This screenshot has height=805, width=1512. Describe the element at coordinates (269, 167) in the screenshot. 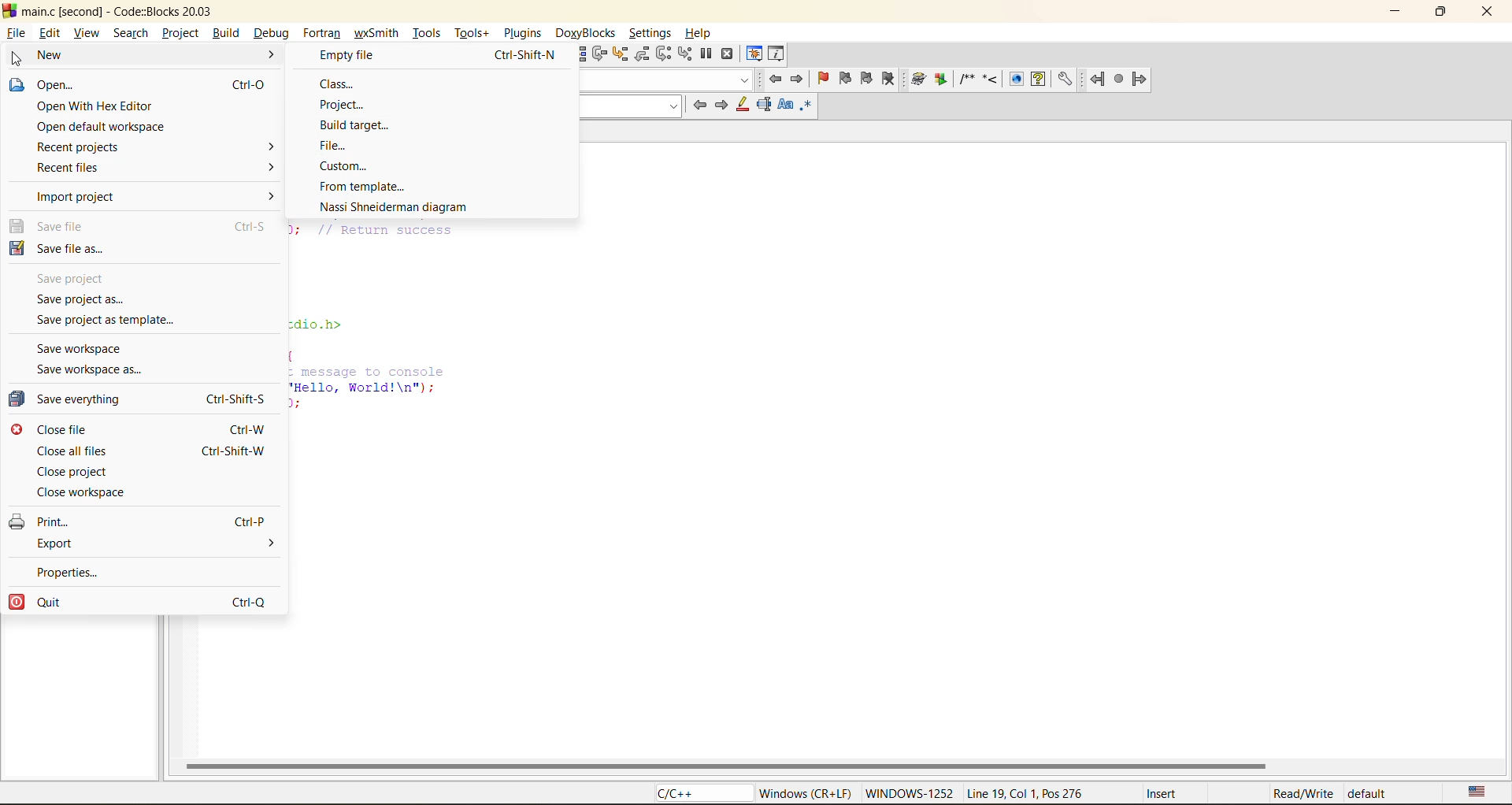

I see `>` at that location.